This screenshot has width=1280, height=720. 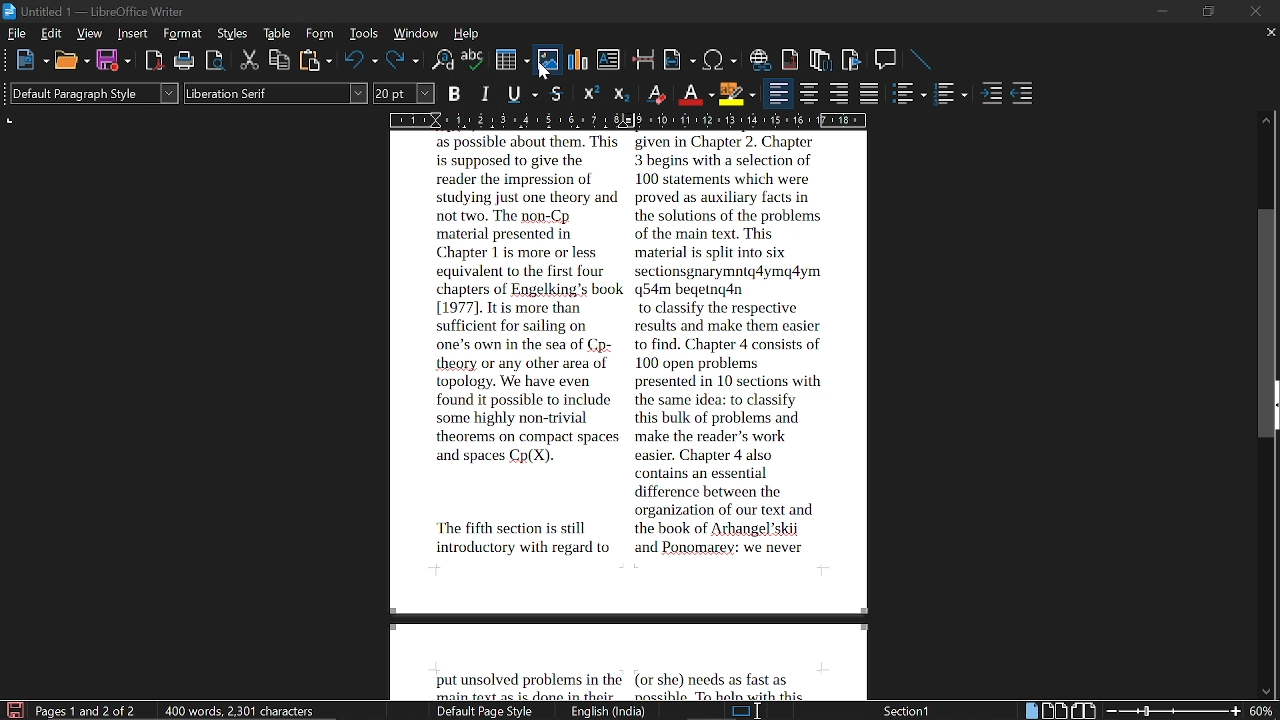 What do you see at coordinates (809, 92) in the screenshot?
I see `center` at bounding box center [809, 92].